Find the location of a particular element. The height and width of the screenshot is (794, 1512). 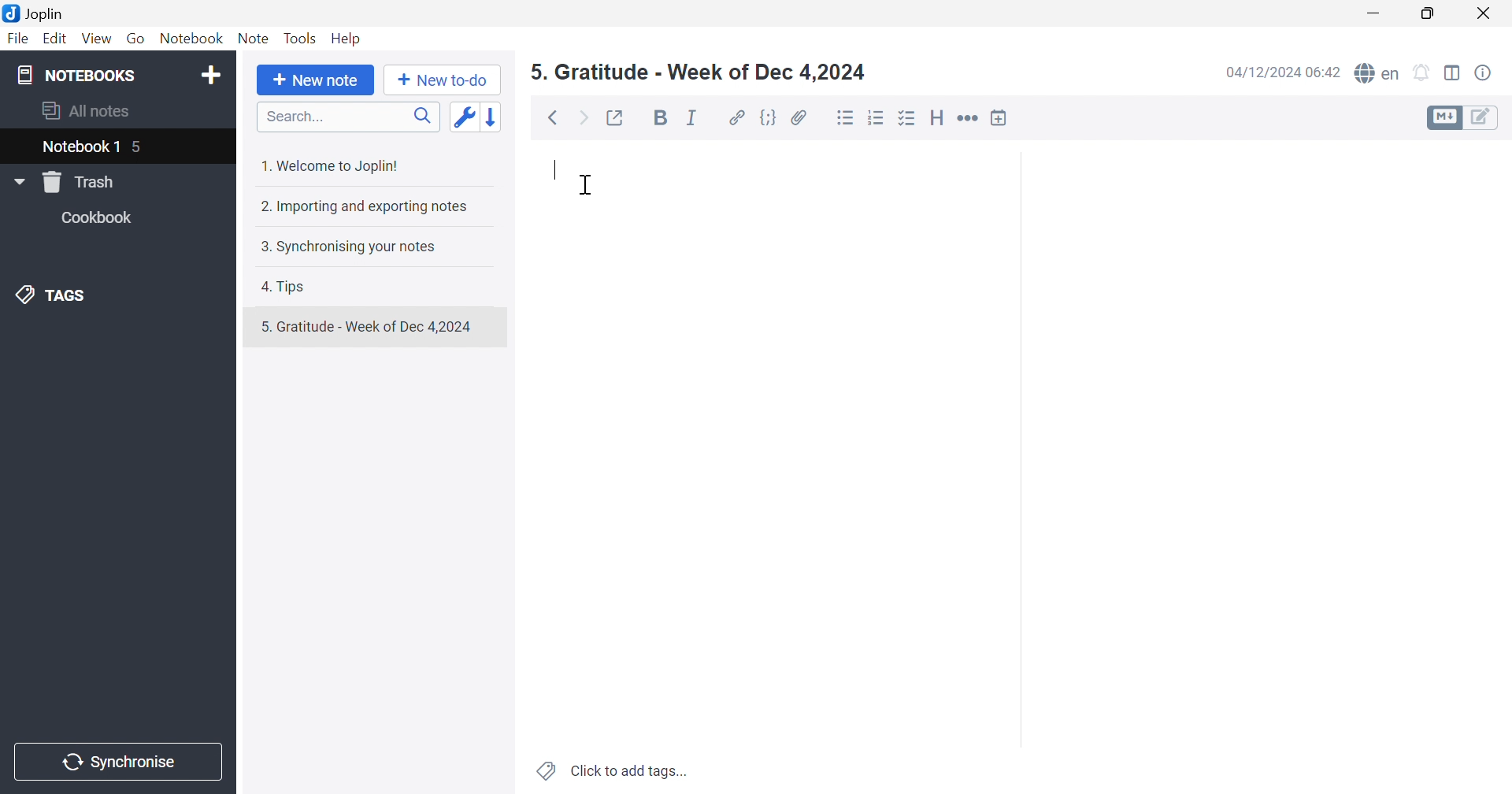

04/12/2024 06:42 is located at coordinates (1279, 75).